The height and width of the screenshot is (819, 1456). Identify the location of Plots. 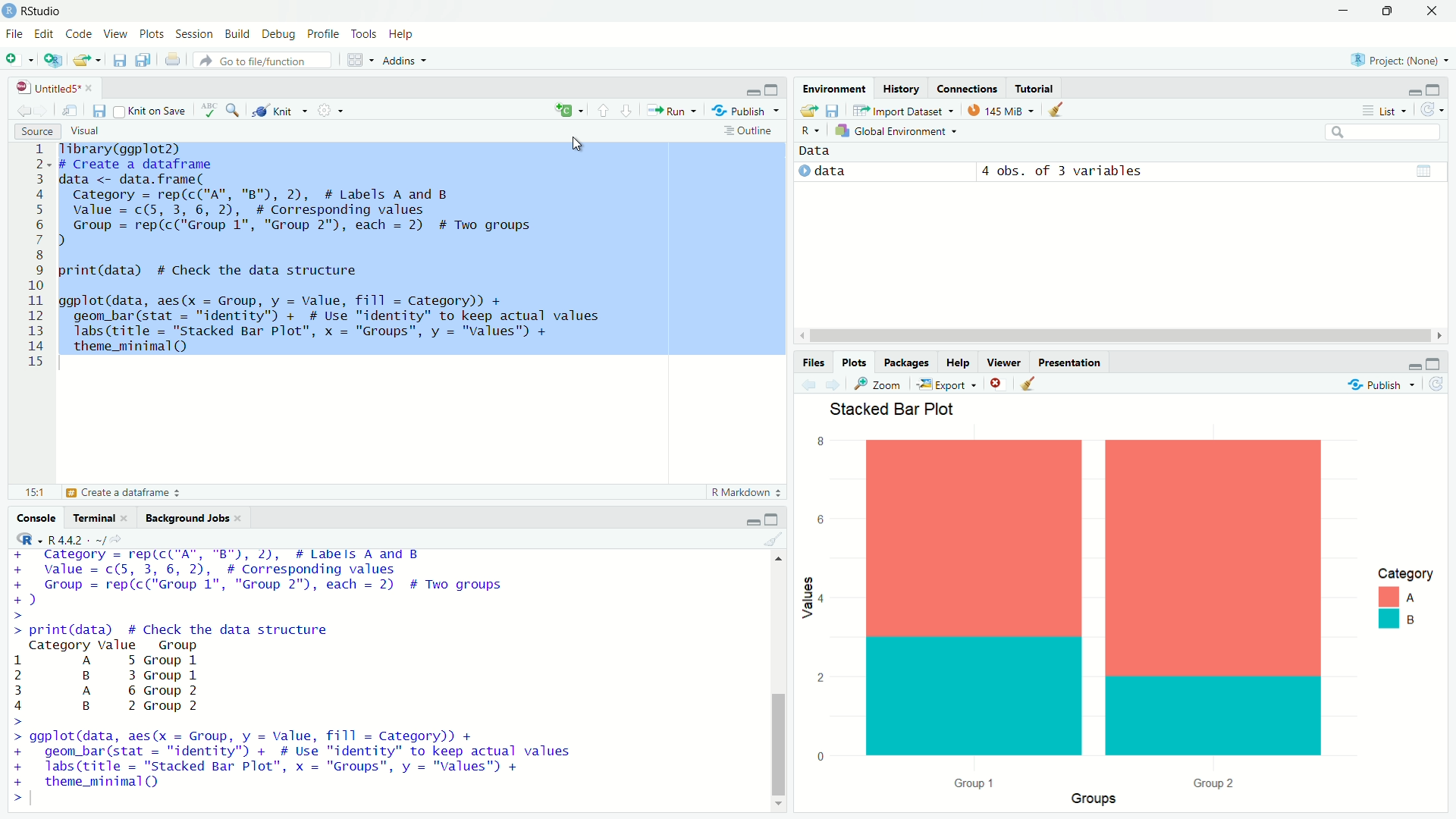
(856, 362).